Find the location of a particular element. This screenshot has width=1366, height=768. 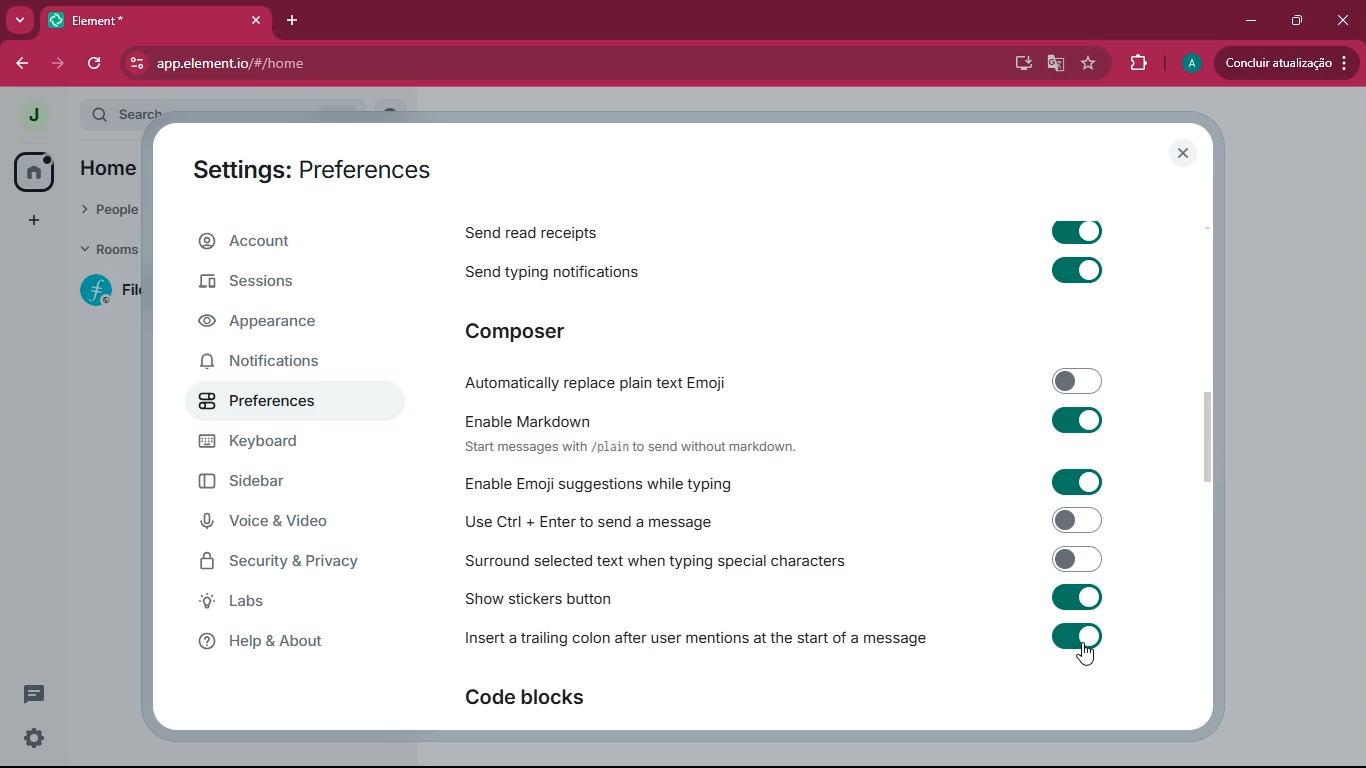

add tab is located at coordinates (295, 20).